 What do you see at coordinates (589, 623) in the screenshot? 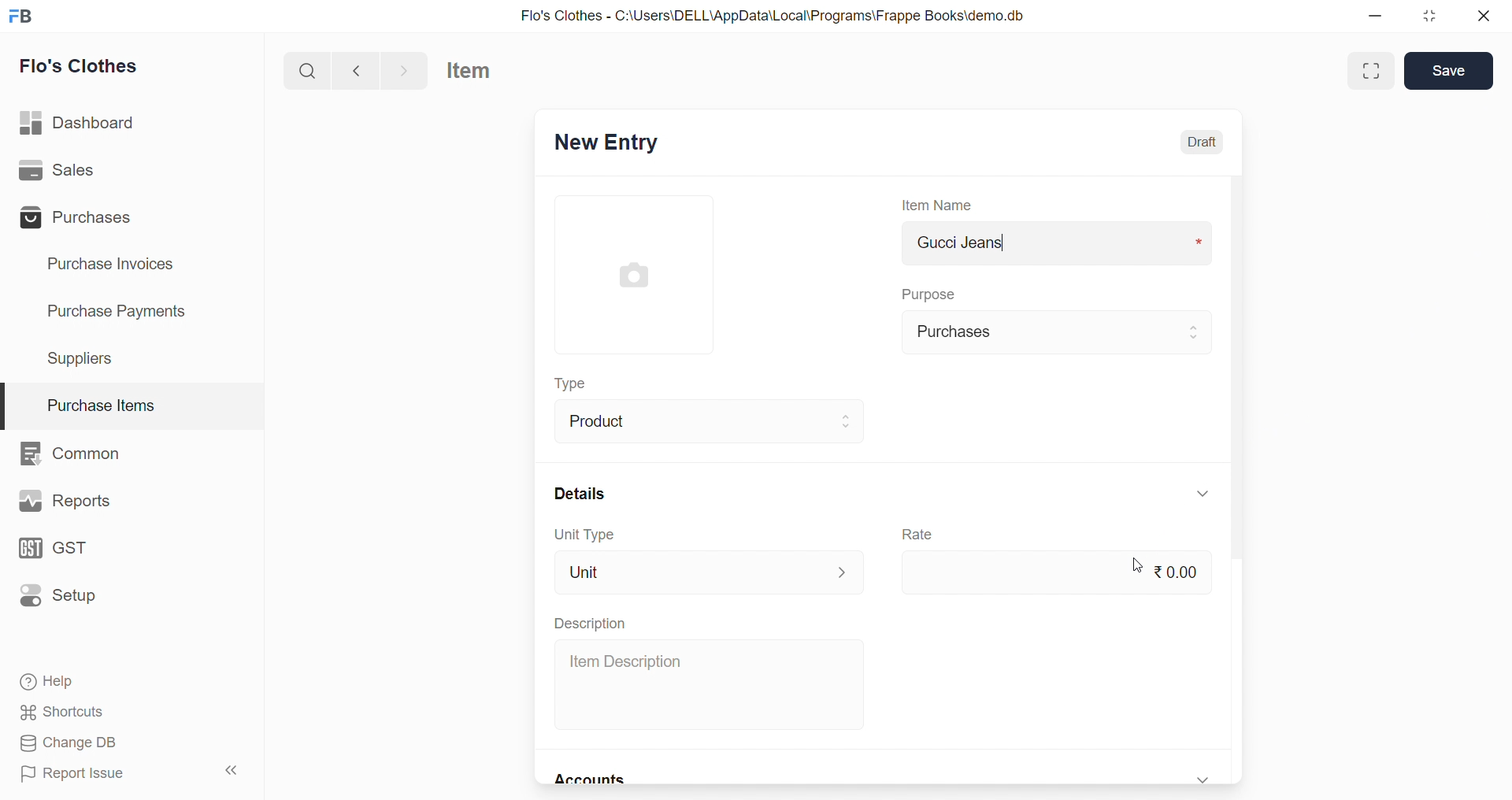
I see `Description` at bounding box center [589, 623].